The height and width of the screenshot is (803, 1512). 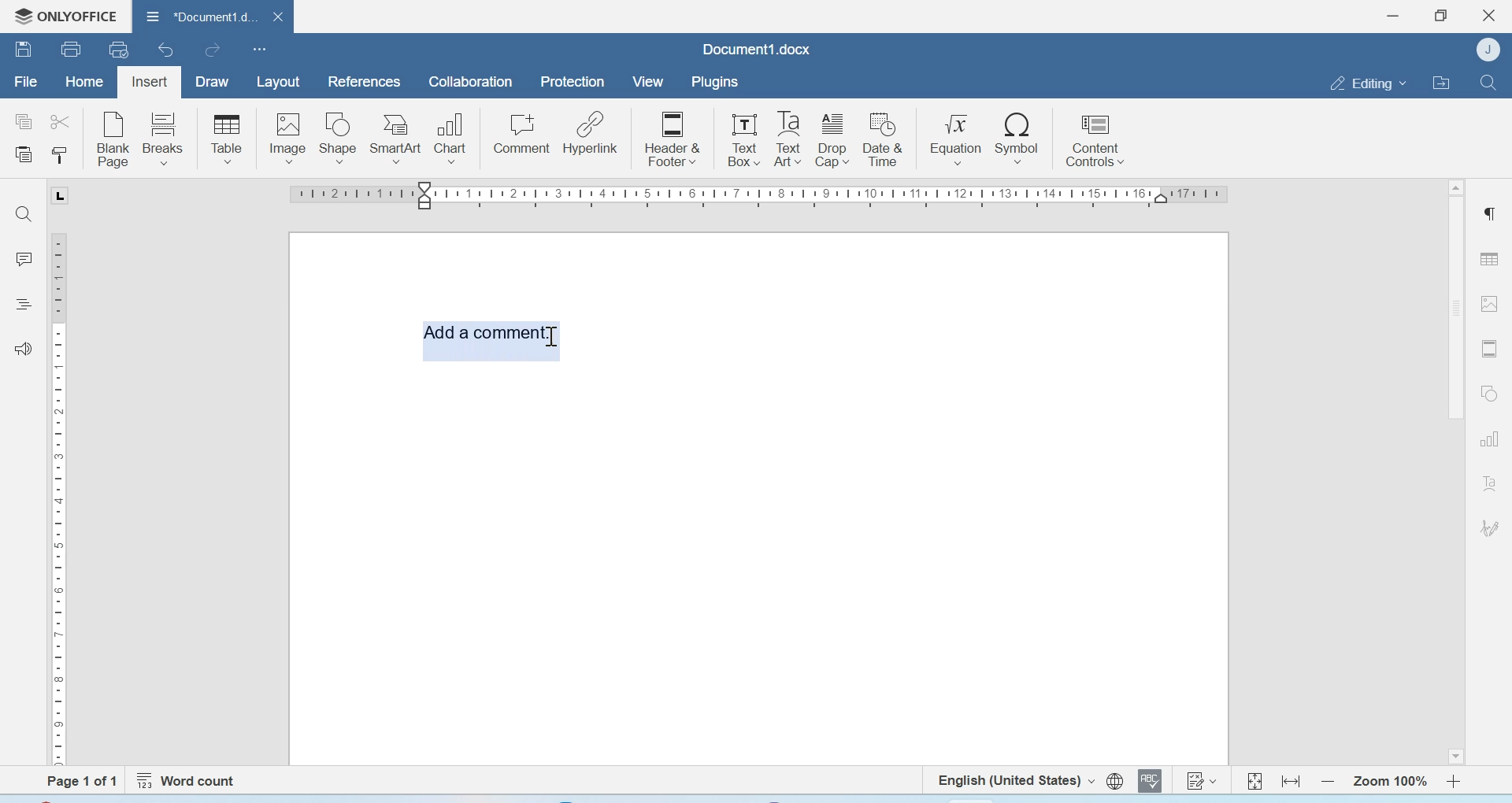 I want to click on Blank page, so click(x=114, y=139).